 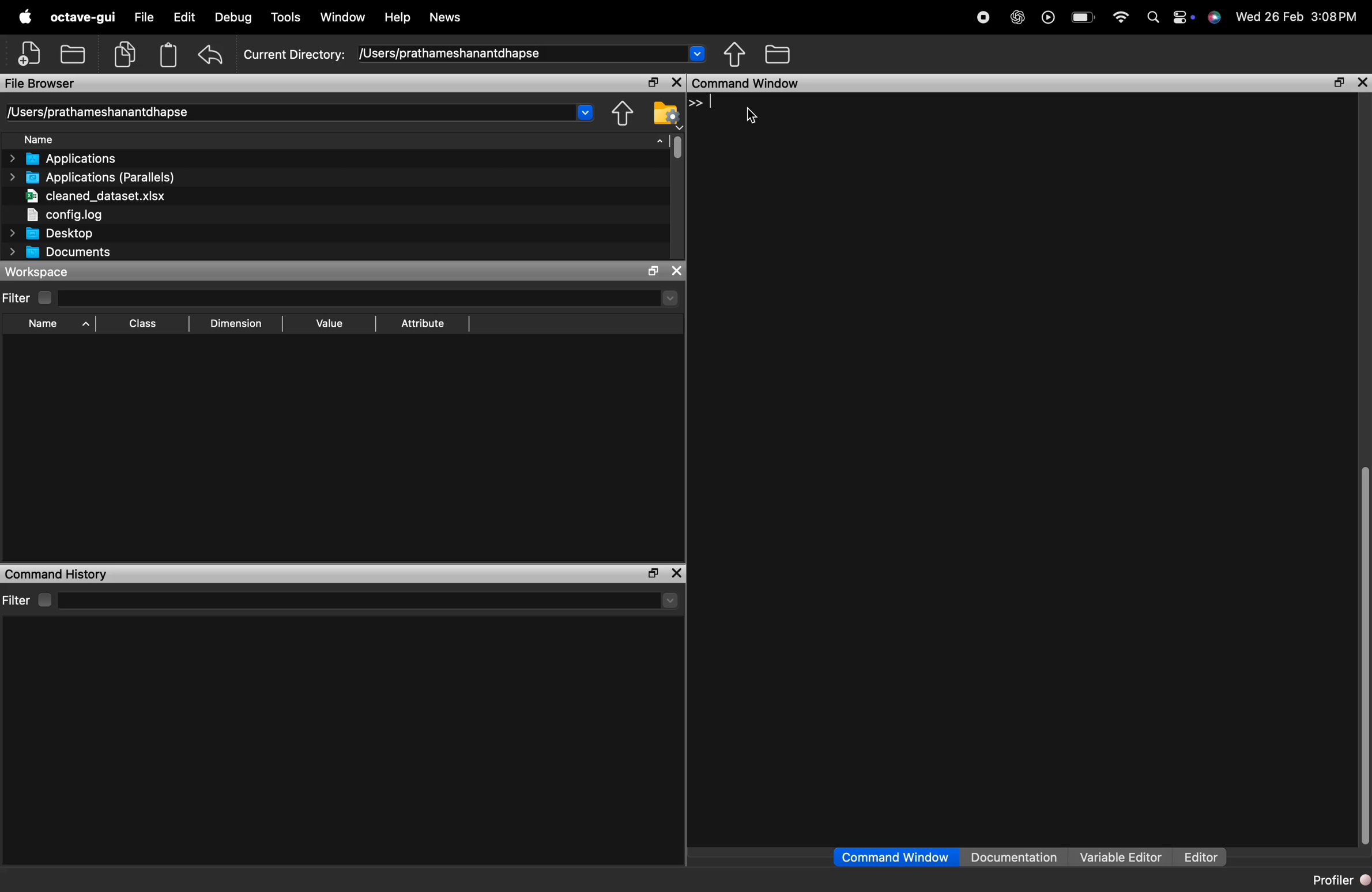 I want to click on Desktop, so click(x=77, y=234).